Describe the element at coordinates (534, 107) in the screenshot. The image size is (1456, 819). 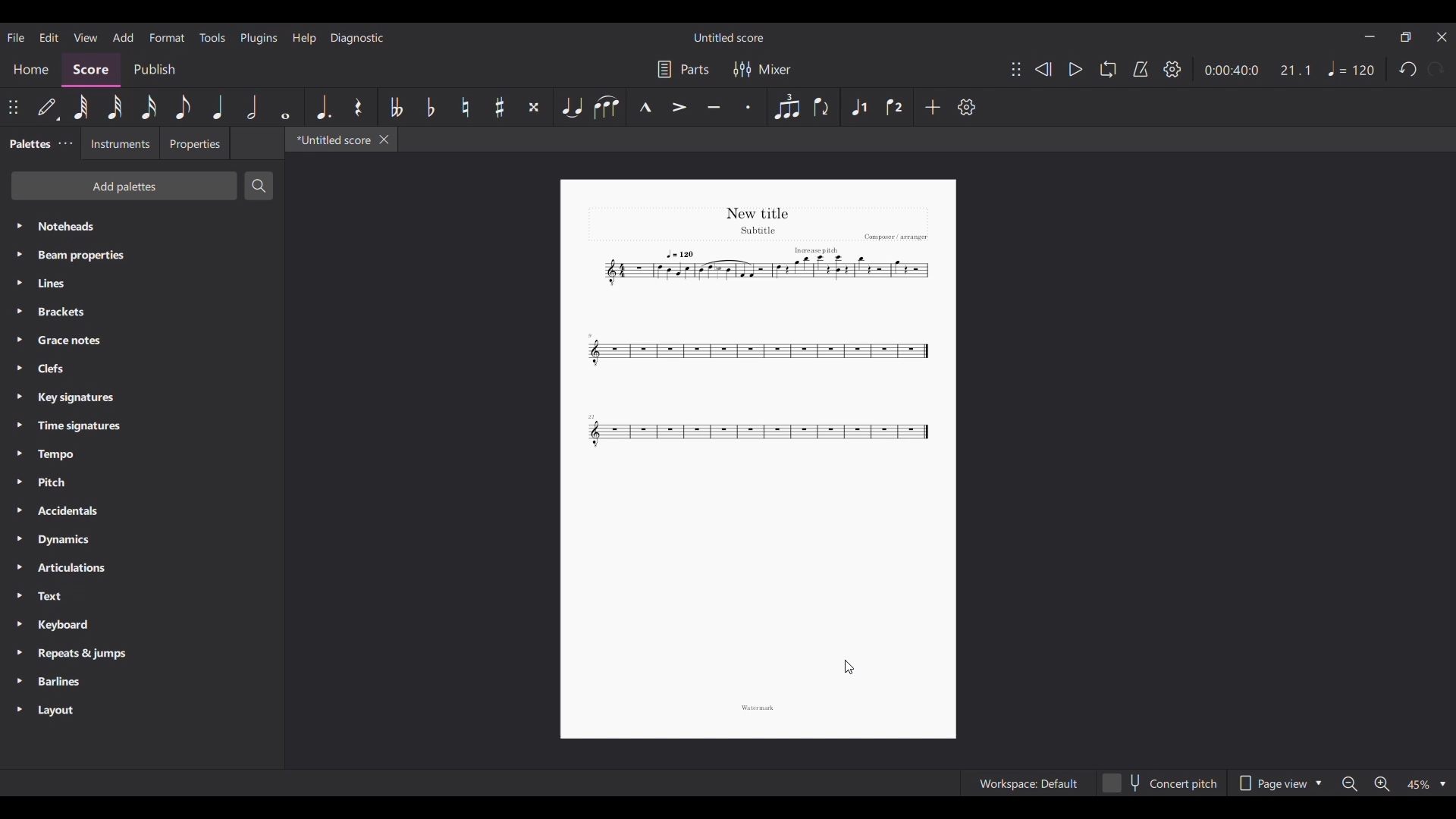
I see `Toggle double sharp` at that location.